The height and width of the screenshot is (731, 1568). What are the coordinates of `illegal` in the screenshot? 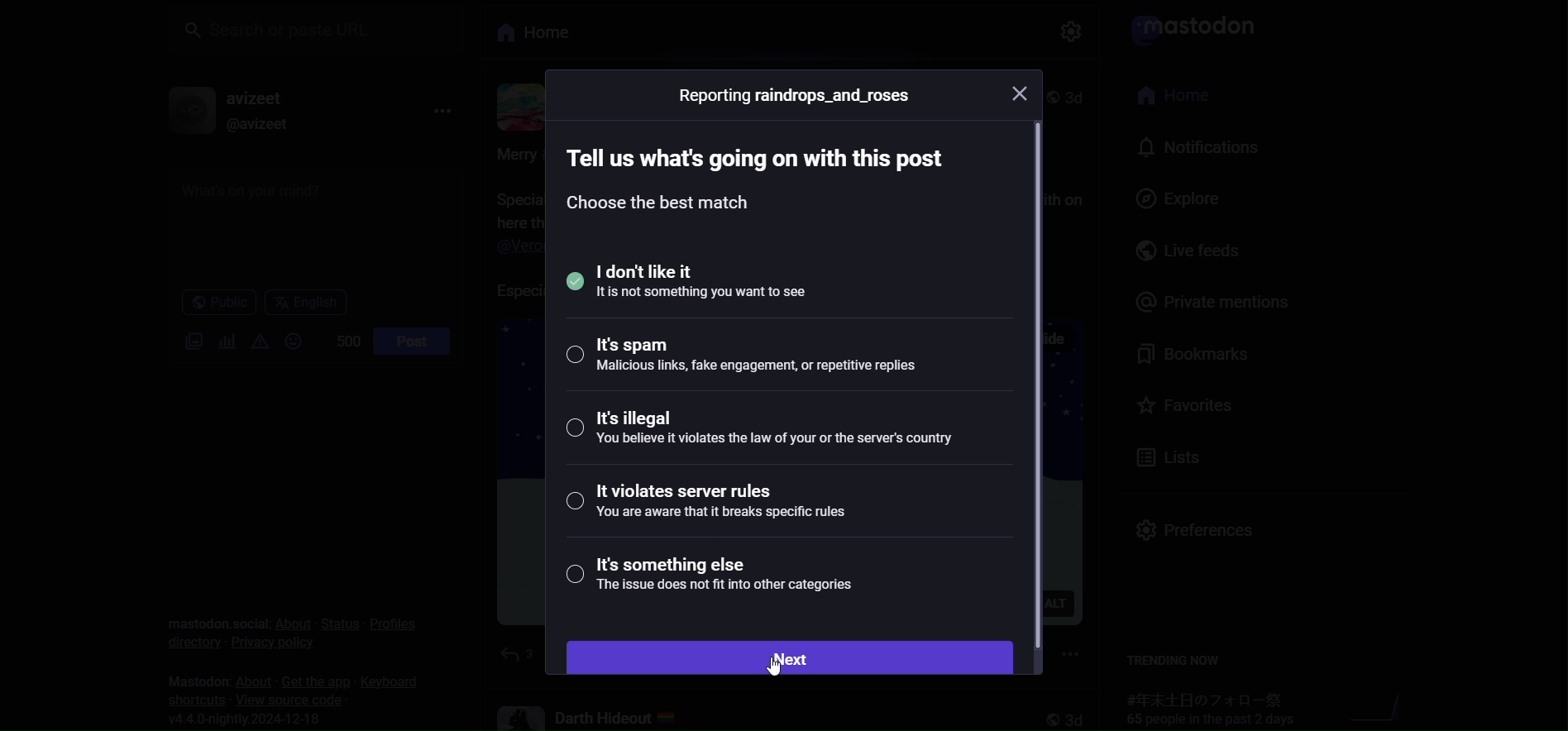 It's located at (762, 426).